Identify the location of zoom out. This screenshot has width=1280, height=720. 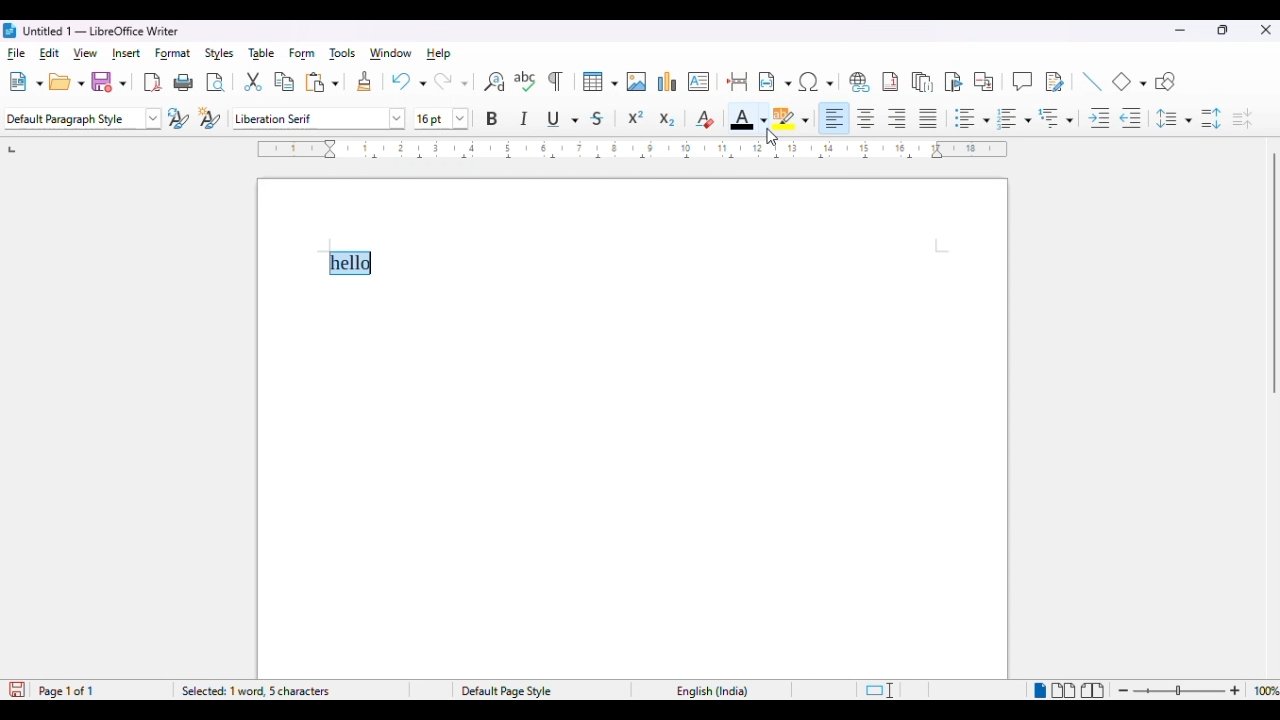
(1126, 691).